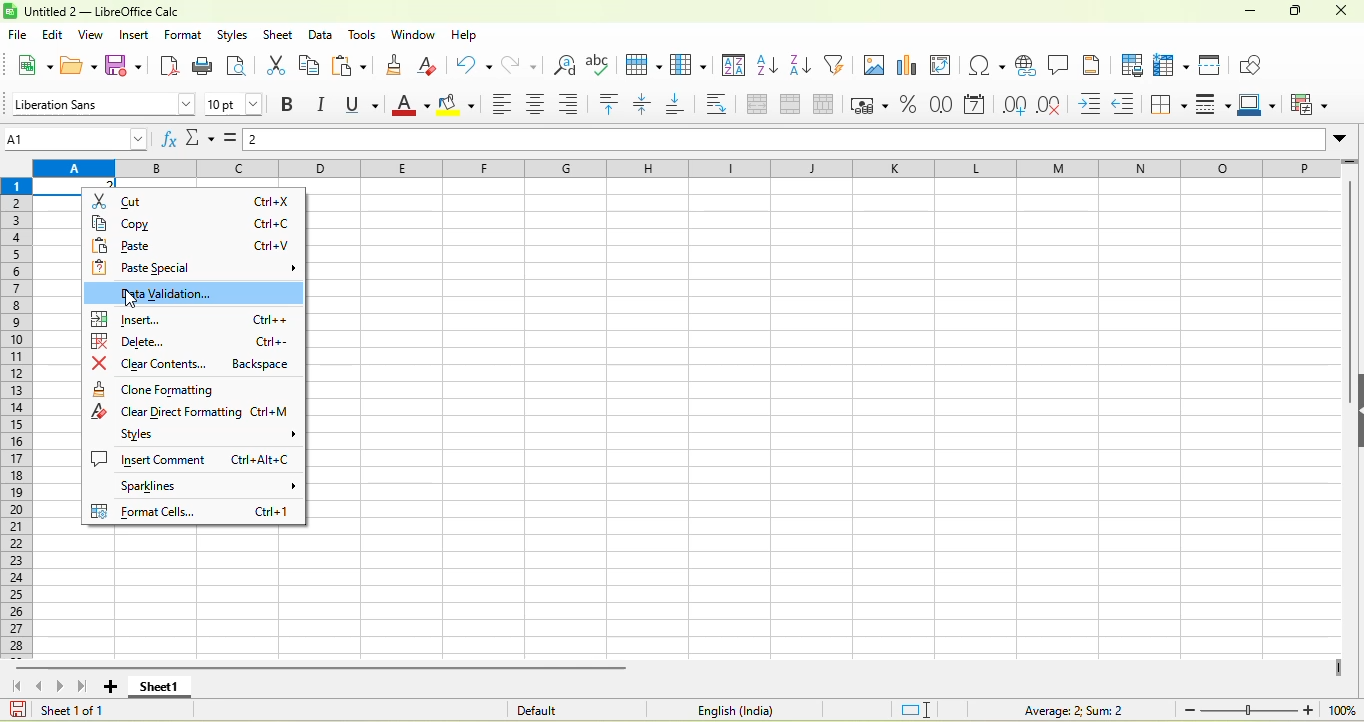 Image resolution: width=1364 pixels, height=722 pixels. What do you see at coordinates (192, 435) in the screenshot?
I see `styles` at bounding box center [192, 435].